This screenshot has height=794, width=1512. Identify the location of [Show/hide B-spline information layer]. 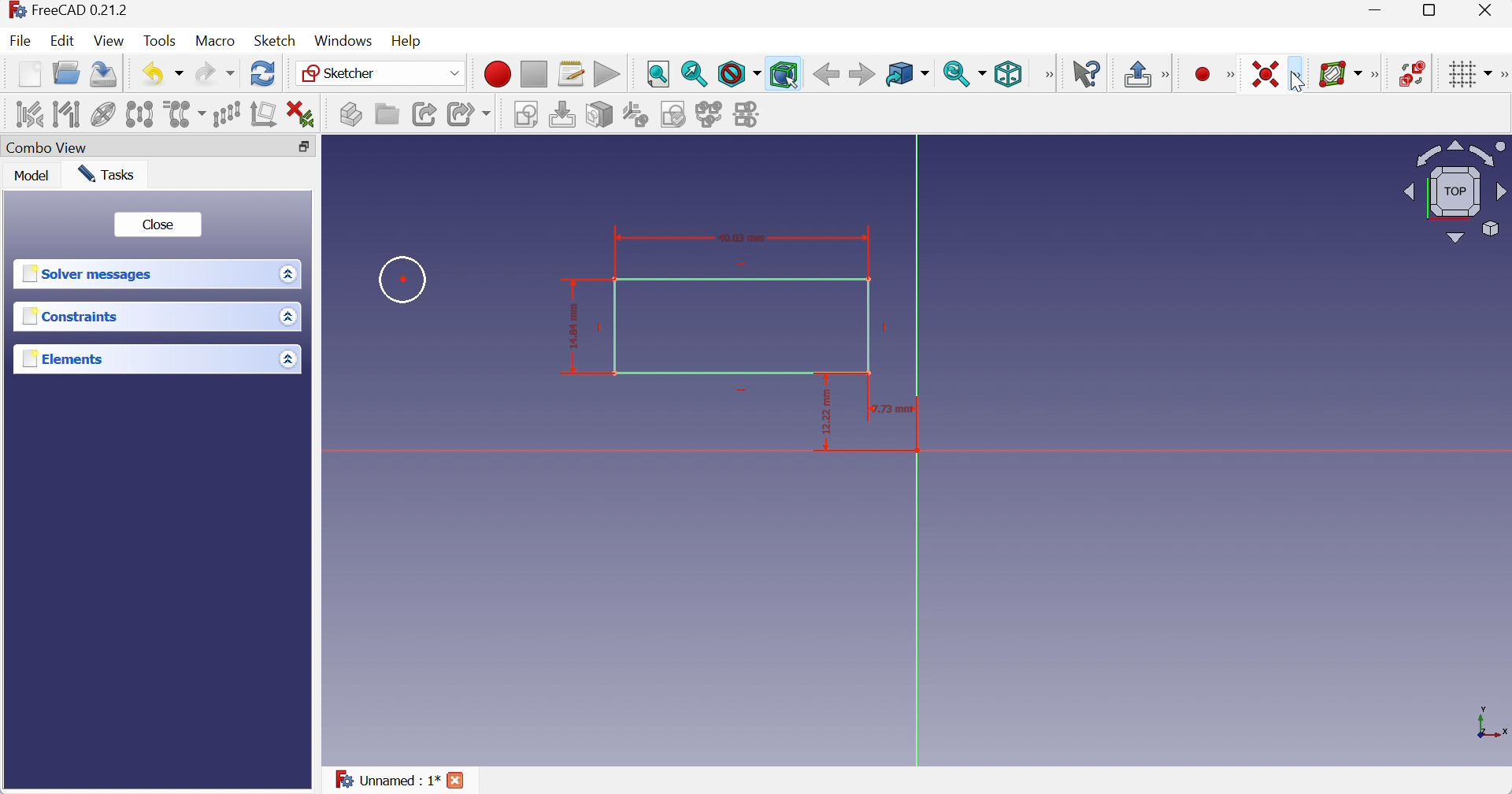
(1340, 74).